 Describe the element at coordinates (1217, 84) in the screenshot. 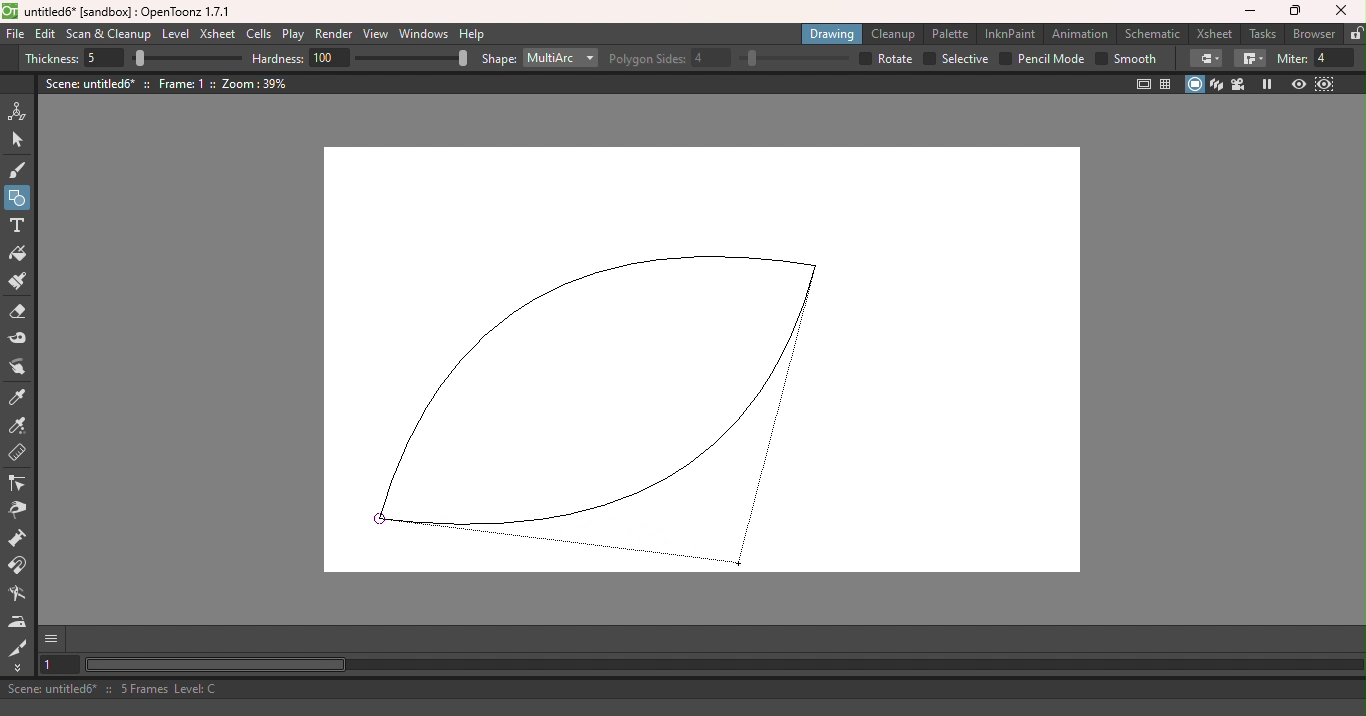

I see `3D view` at that location.